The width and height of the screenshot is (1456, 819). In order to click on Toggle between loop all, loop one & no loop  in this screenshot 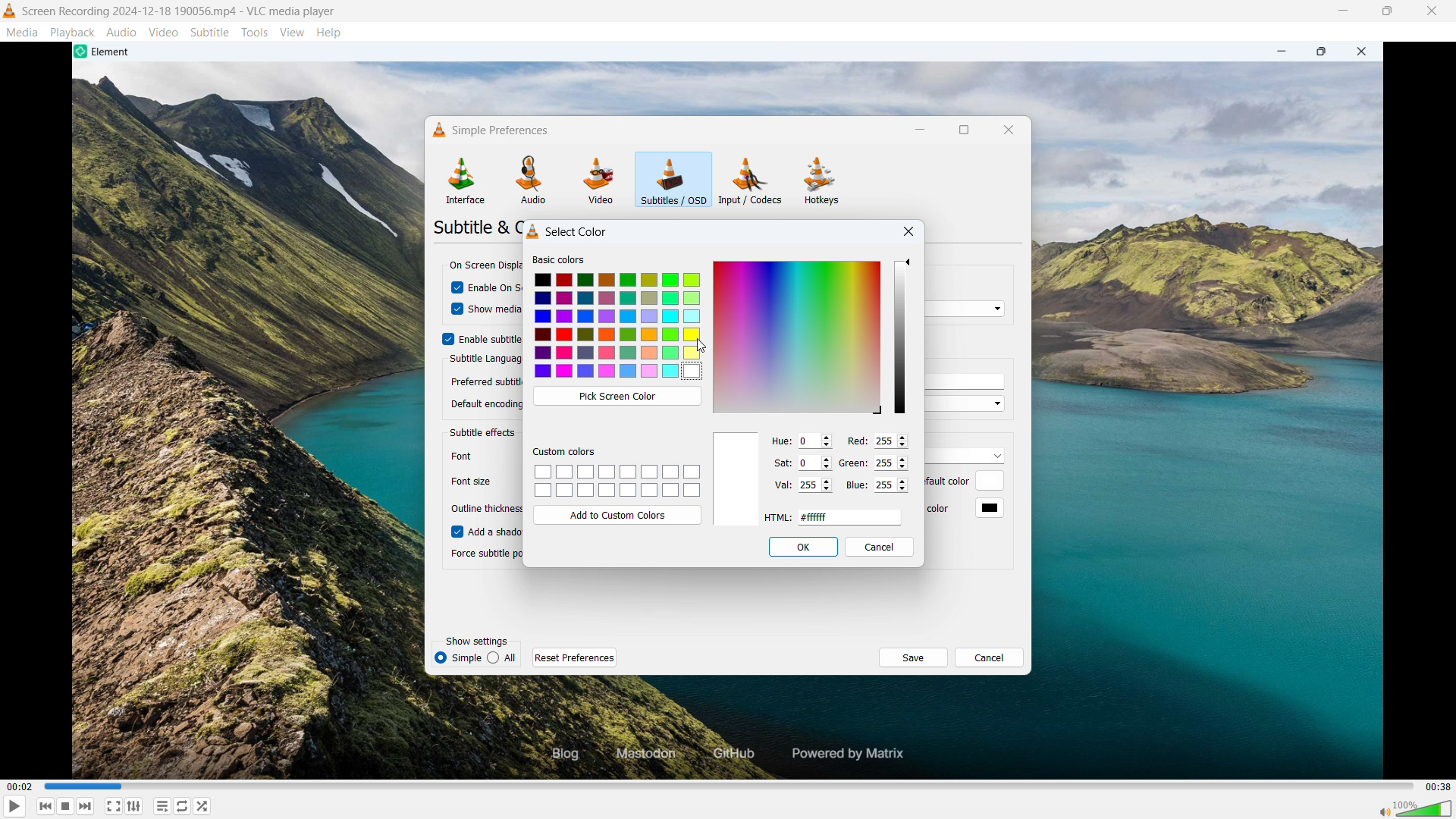, I will do `click(183, 805)`.